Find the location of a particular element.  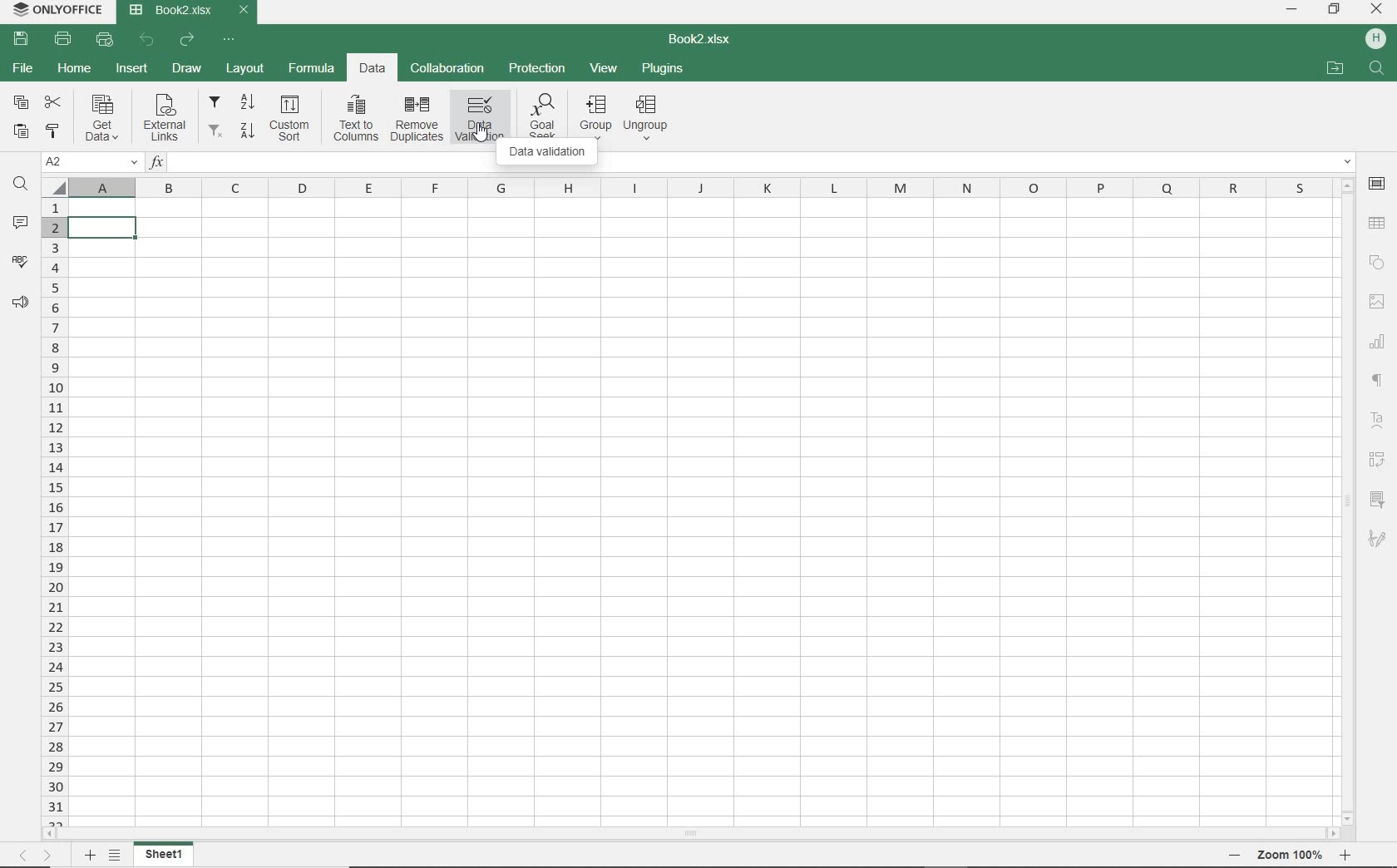

PROTECTION is located at coordinates (536, 70).